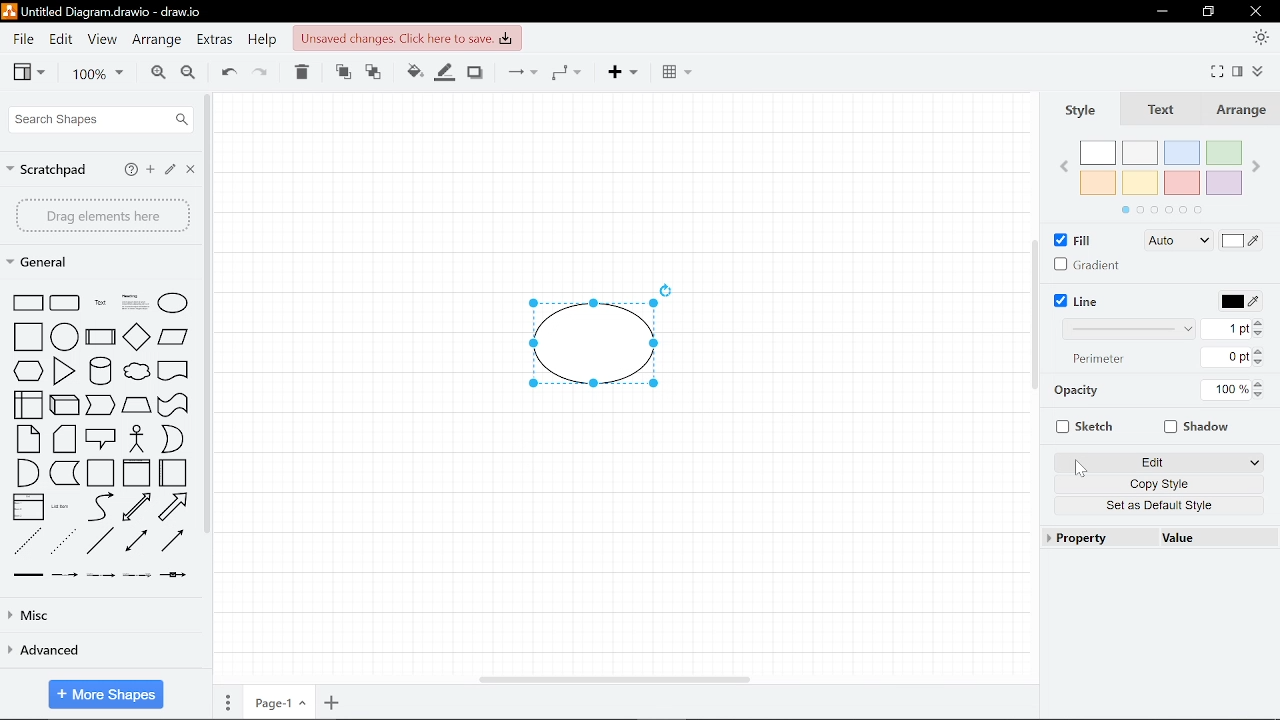 The height and width of the screenshot is (720, 1280). Describe the element at coordinates (375, 72) in the screenshot. I see `To back` at that location.